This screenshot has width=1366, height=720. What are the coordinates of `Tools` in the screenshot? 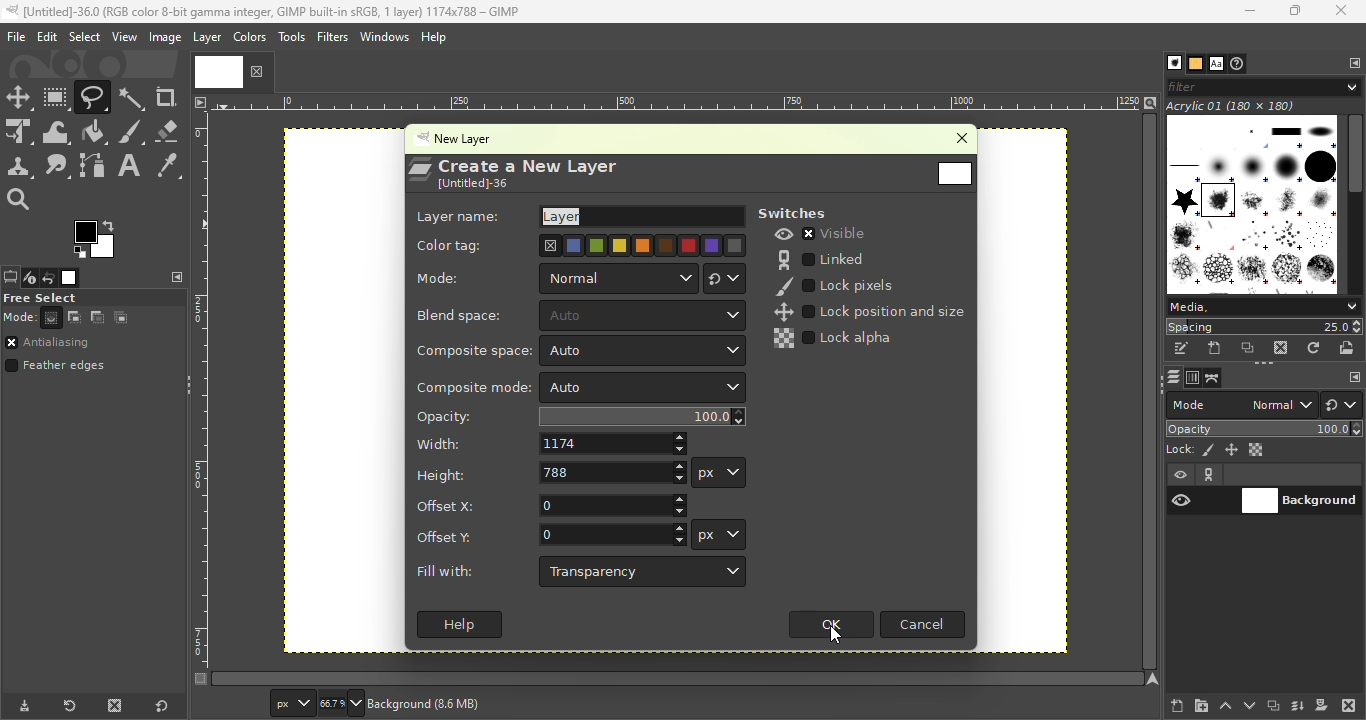 It's located at (291, 37).